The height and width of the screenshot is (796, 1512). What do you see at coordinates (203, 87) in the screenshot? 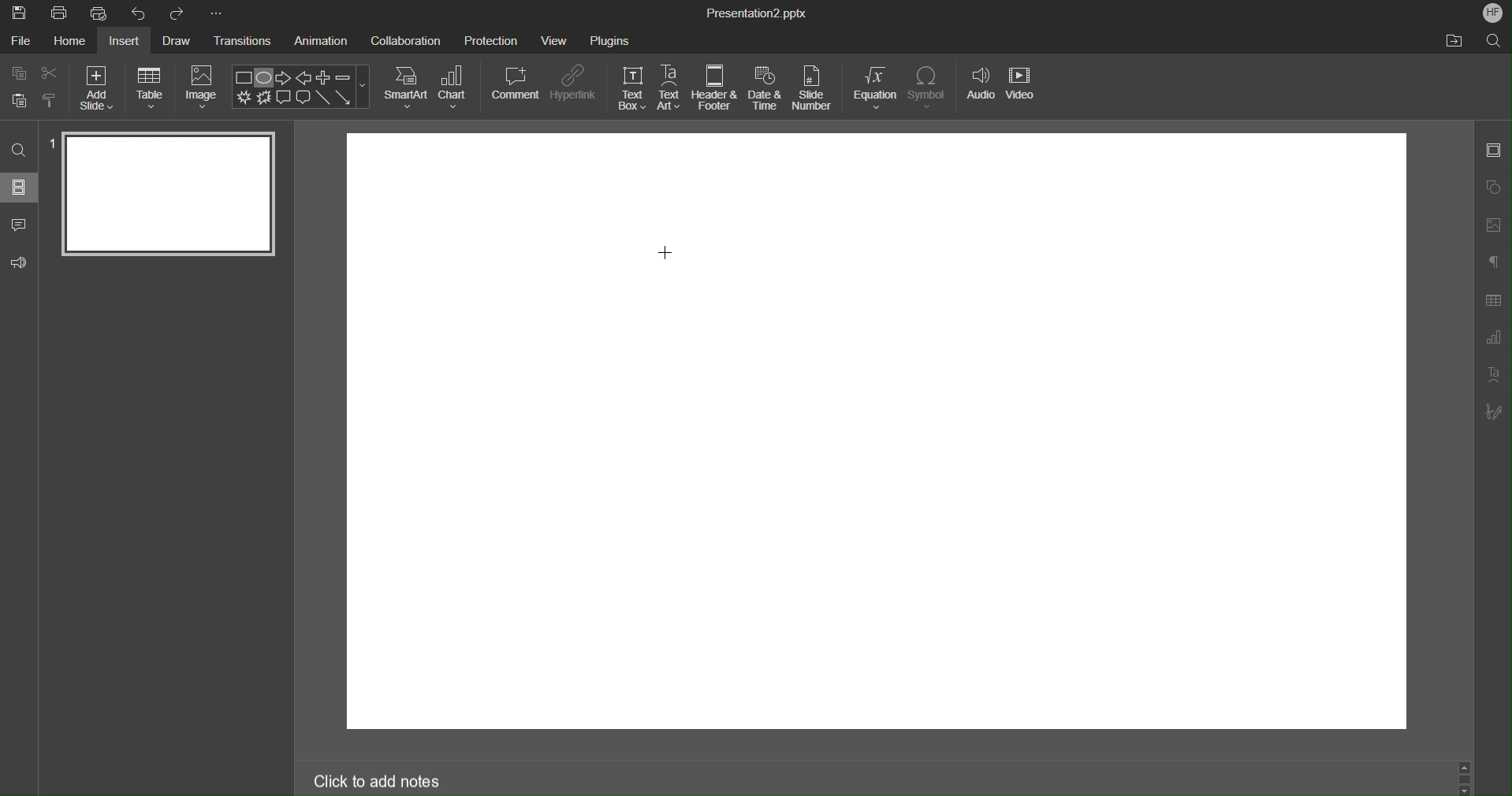
I see `Image` at bounding box center [203, 87].